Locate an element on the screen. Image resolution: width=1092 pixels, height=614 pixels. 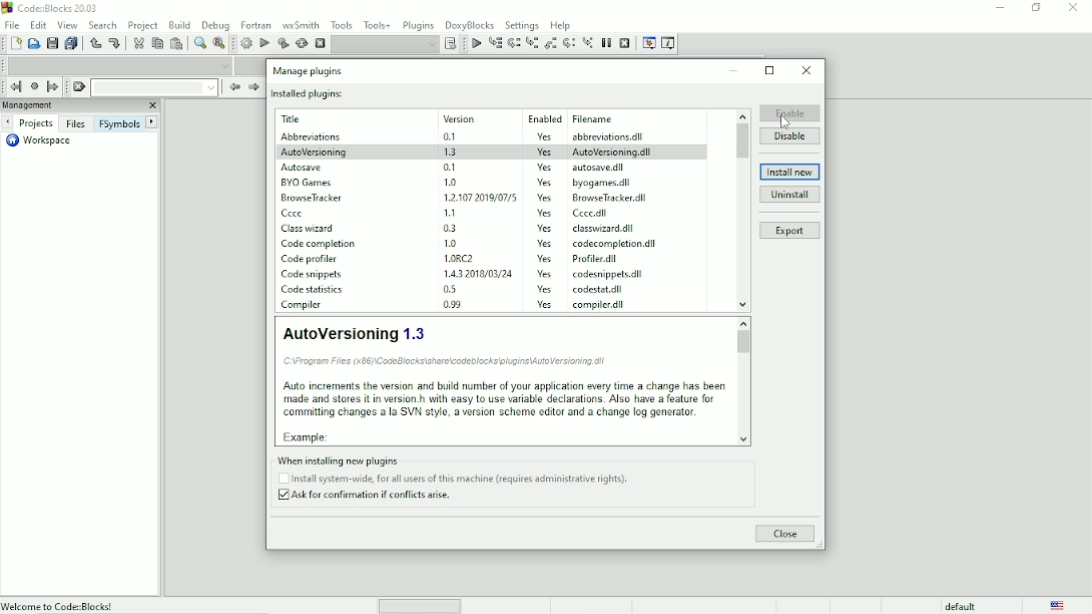
Project is located at coordinates (143, 26).